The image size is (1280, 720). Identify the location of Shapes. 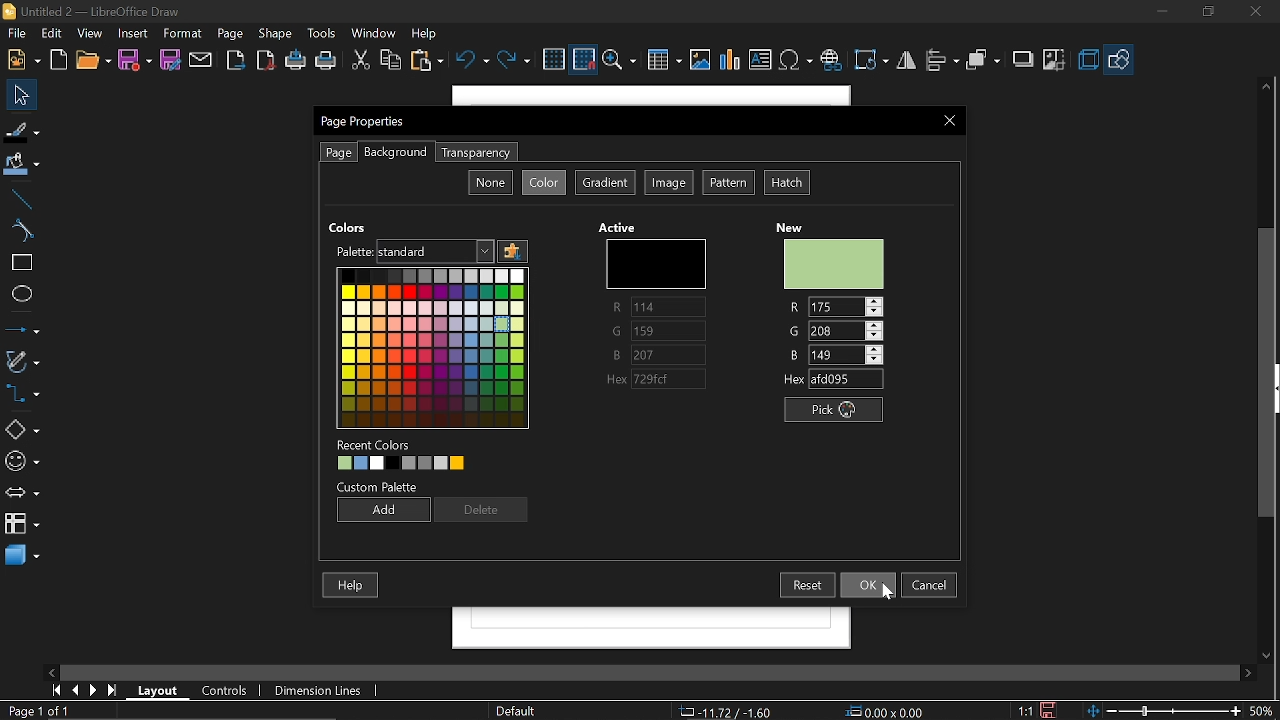
(22, 428).